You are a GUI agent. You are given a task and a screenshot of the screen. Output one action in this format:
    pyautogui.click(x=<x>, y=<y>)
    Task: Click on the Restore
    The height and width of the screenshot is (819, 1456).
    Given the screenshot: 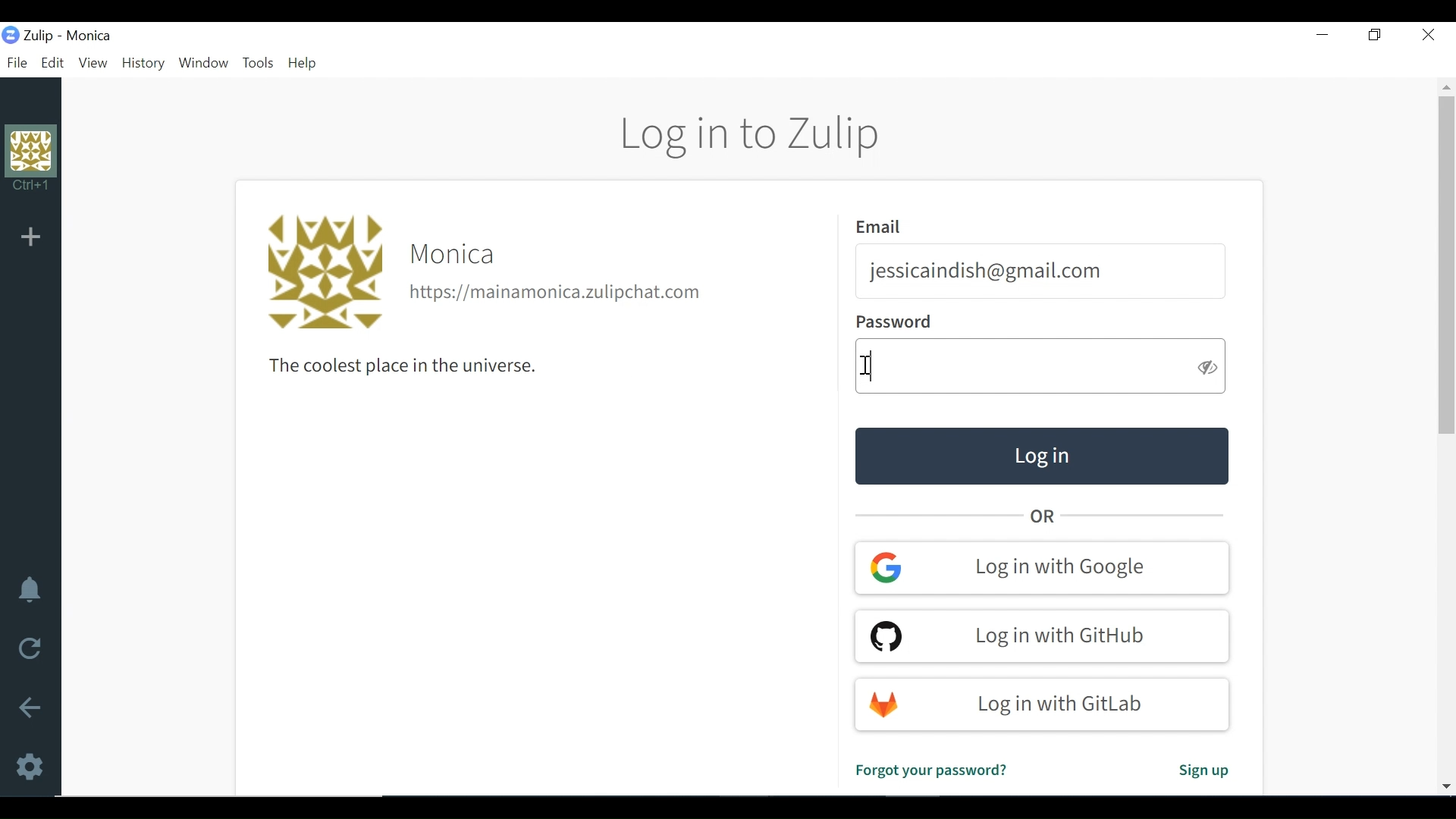 What is the action you would take?
    pyautogui.click(x=1373, y=34)
    